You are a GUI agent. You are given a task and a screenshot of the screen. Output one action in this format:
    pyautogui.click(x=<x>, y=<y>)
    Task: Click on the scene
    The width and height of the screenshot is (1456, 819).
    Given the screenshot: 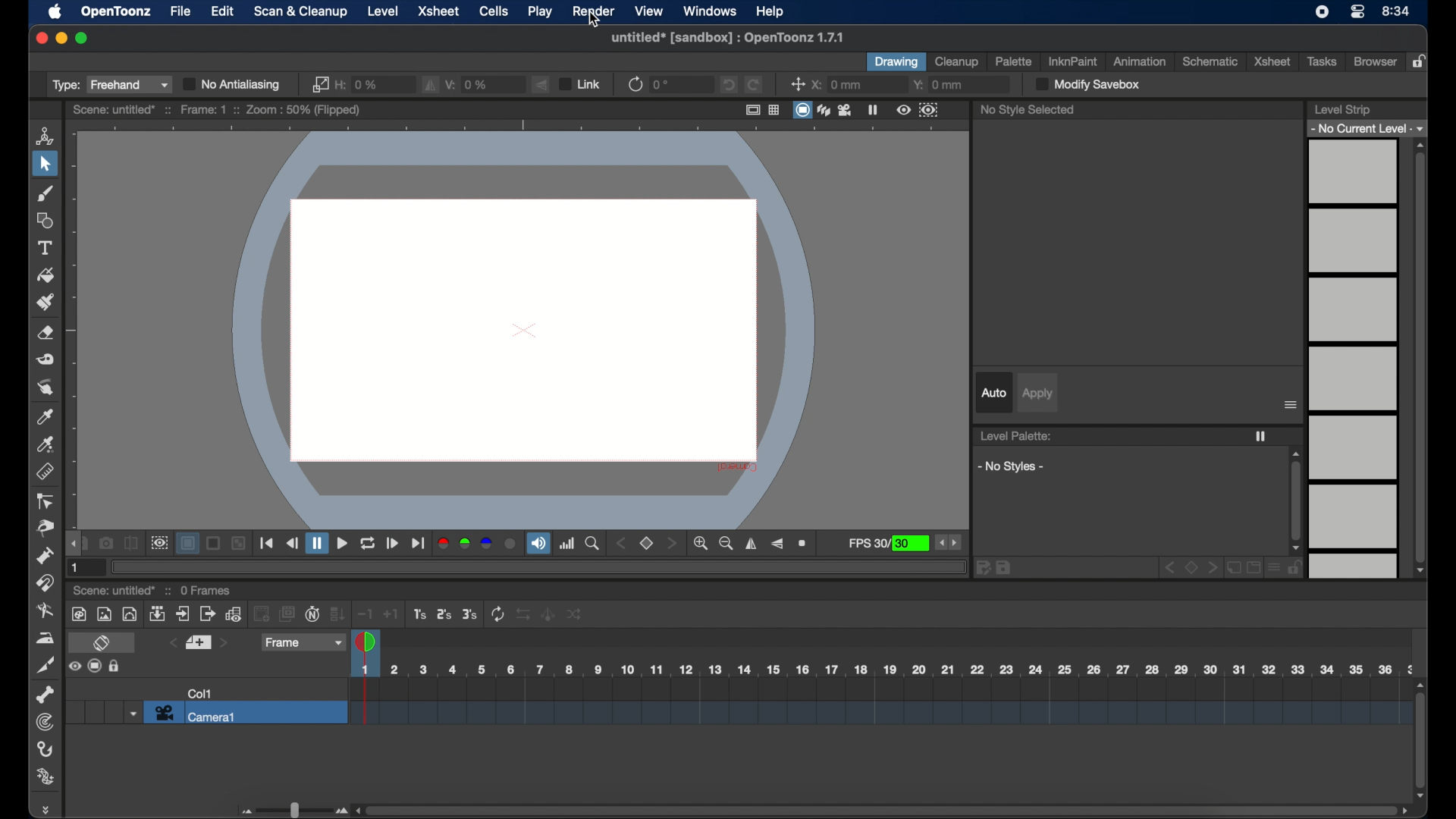 What is the action you would take?
    pyautogui.click(x=879, y=703)
    